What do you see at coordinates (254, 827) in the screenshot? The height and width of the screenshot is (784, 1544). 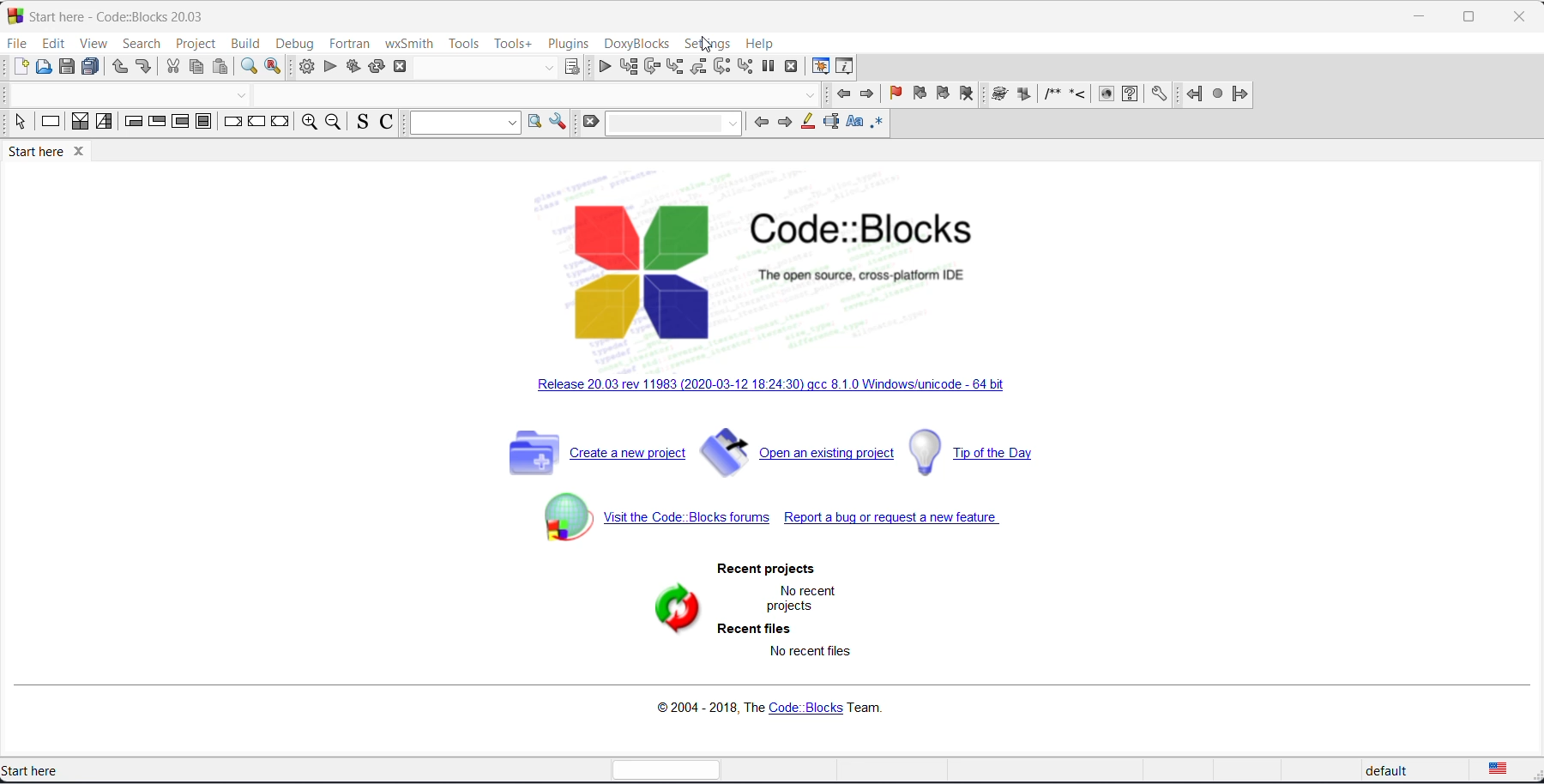 I see `` at bounding box center [254, 827].